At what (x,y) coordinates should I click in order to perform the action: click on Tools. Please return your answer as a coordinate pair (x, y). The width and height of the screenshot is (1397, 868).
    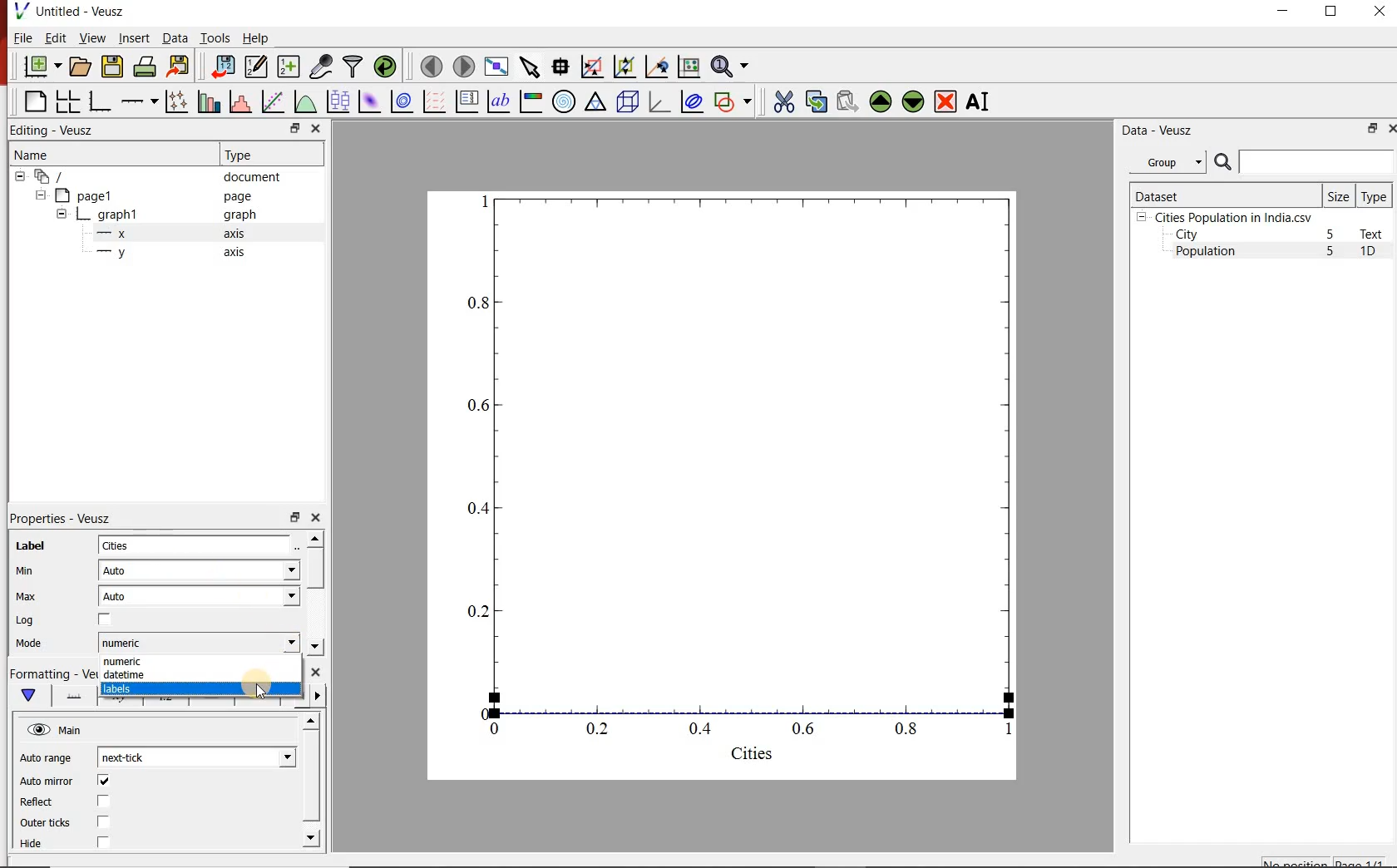
    Looking at the image, I should click on (214, 37).